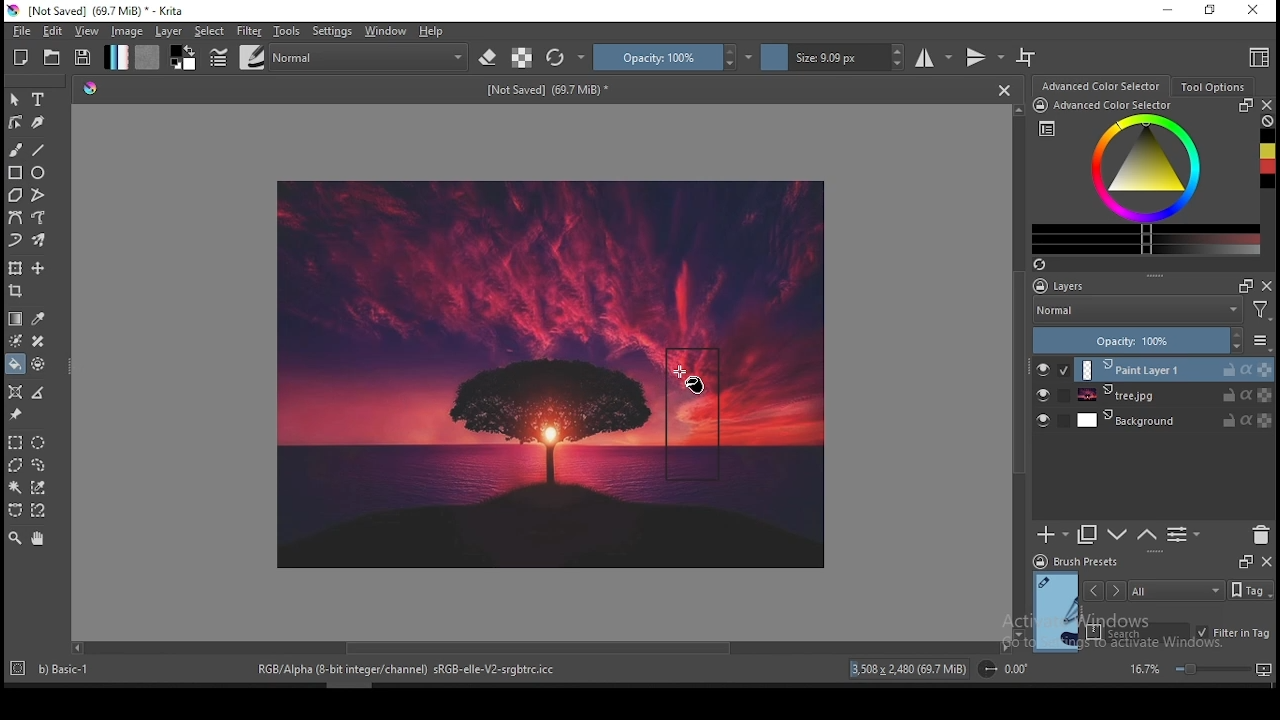 The height and width of the screenshot is (720, 1280). What do you see at coordinates (15, 100) in the screenshot?
I see `selectshapes tool` at bounding box center [15, 100].